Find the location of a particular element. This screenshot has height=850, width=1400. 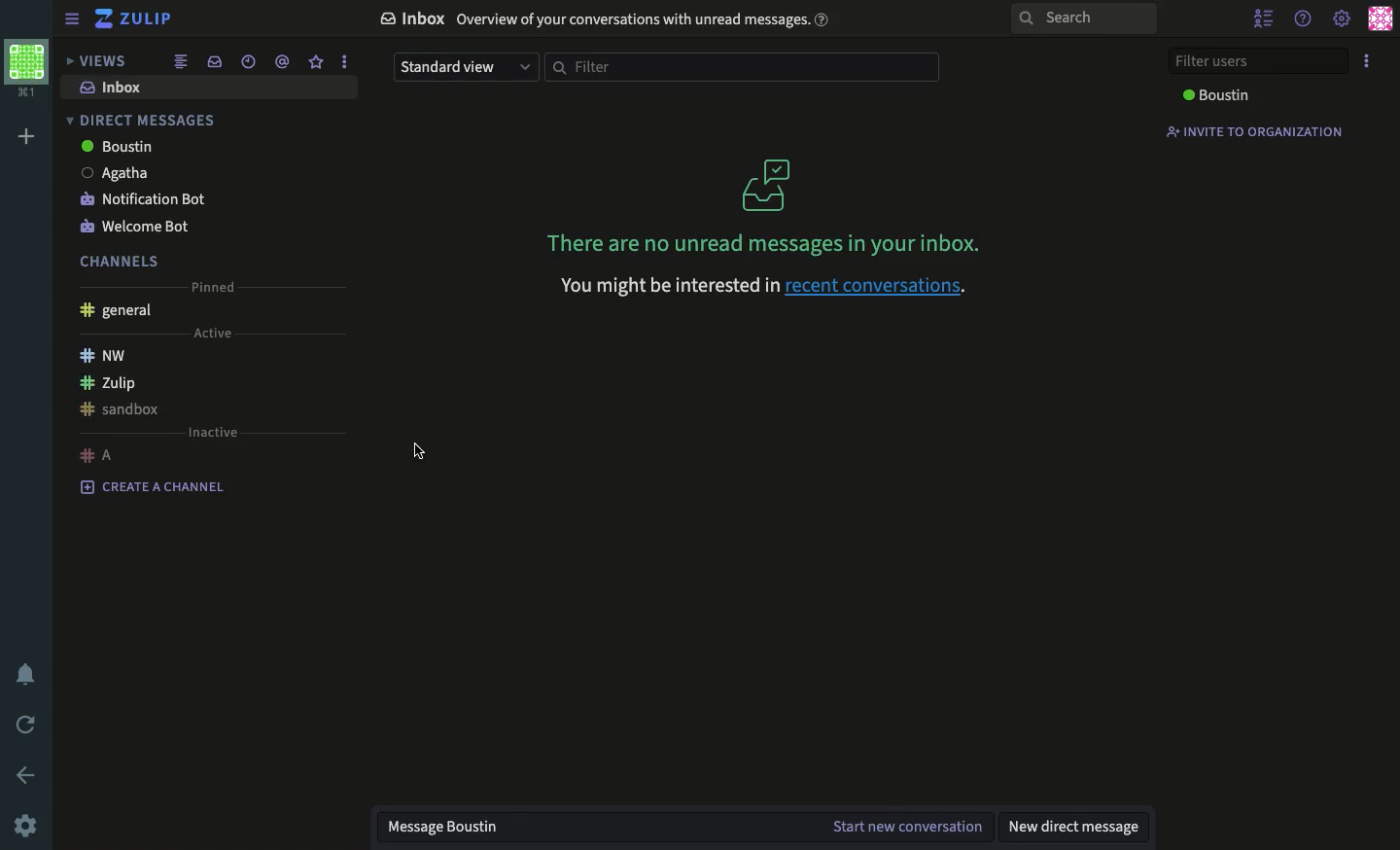

nw is located at coordinates (105, 353).